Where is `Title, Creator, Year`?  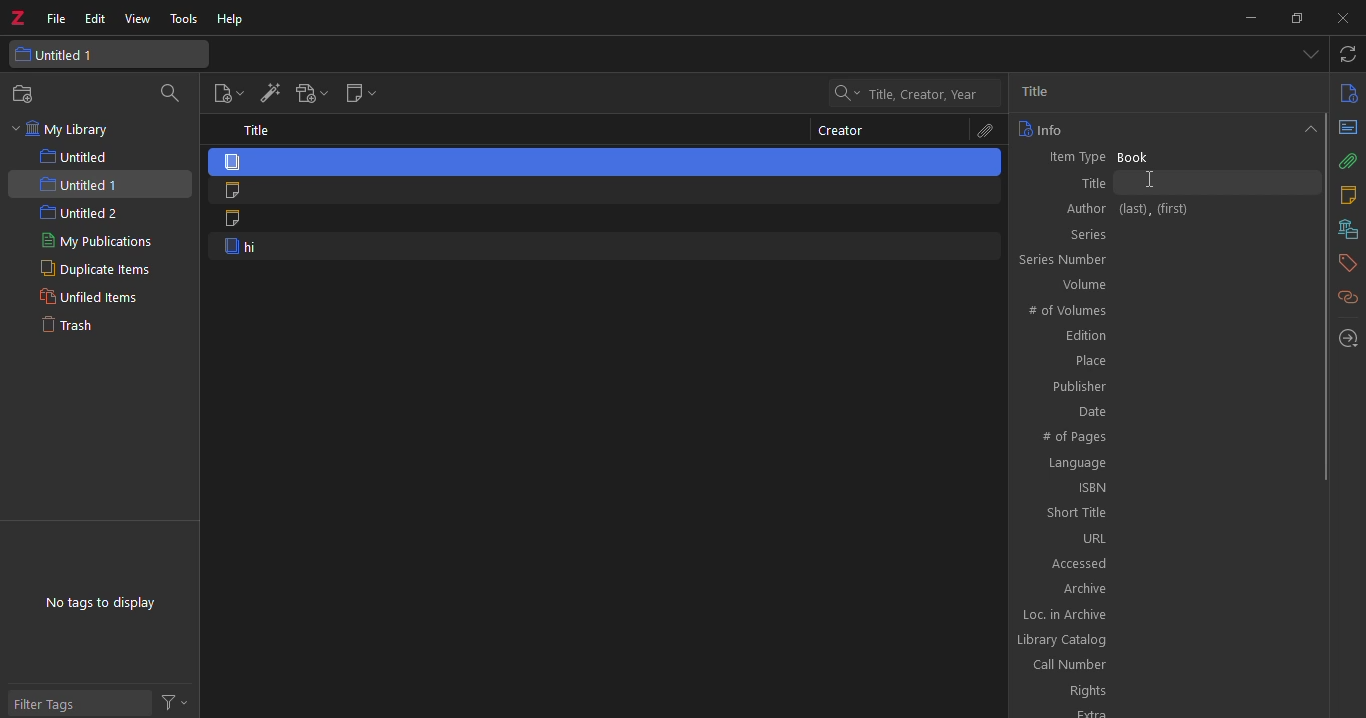 Title, Creator, Year is located at coordinates (923, 95).